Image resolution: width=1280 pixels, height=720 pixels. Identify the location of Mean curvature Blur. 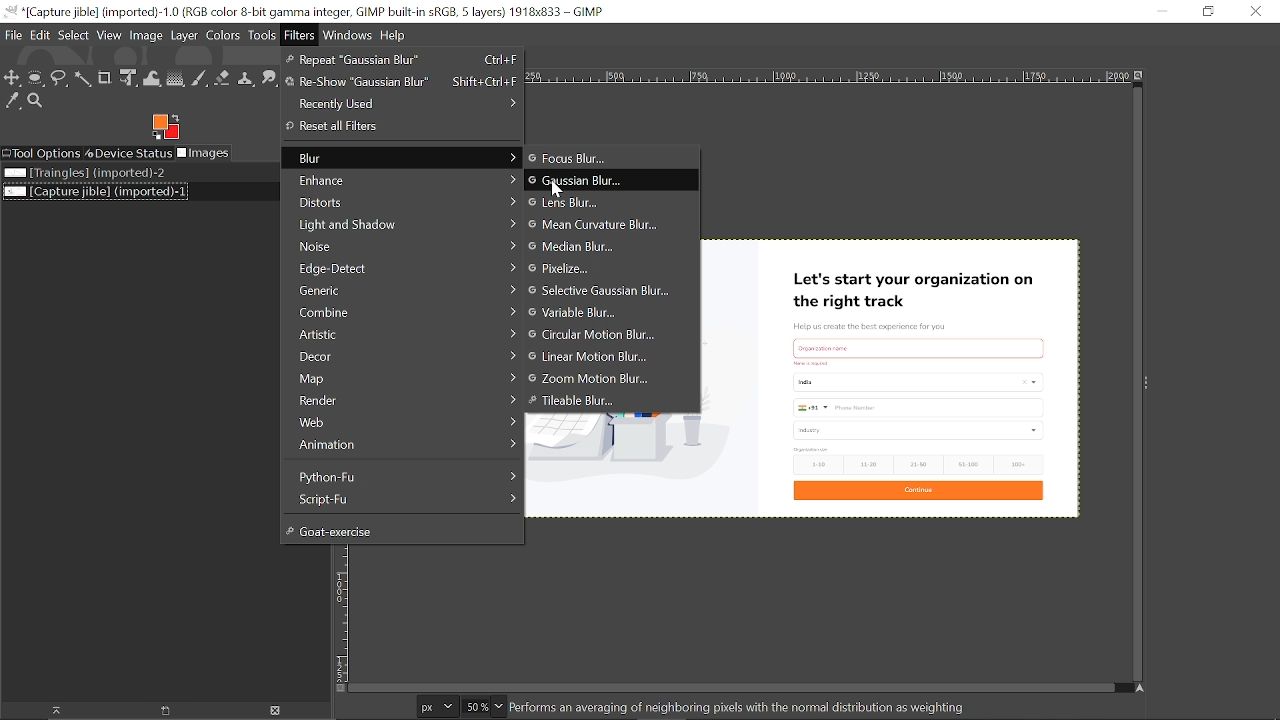
(595, 223).